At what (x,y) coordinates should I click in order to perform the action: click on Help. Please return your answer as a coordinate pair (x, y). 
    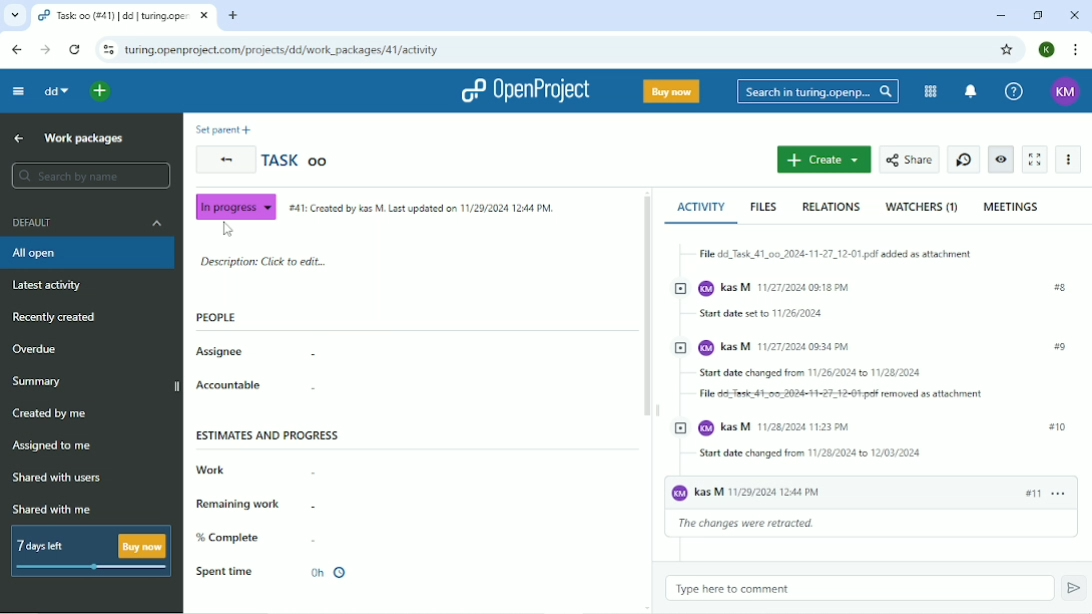
    Looking at the image, I should click on (1013, 92).